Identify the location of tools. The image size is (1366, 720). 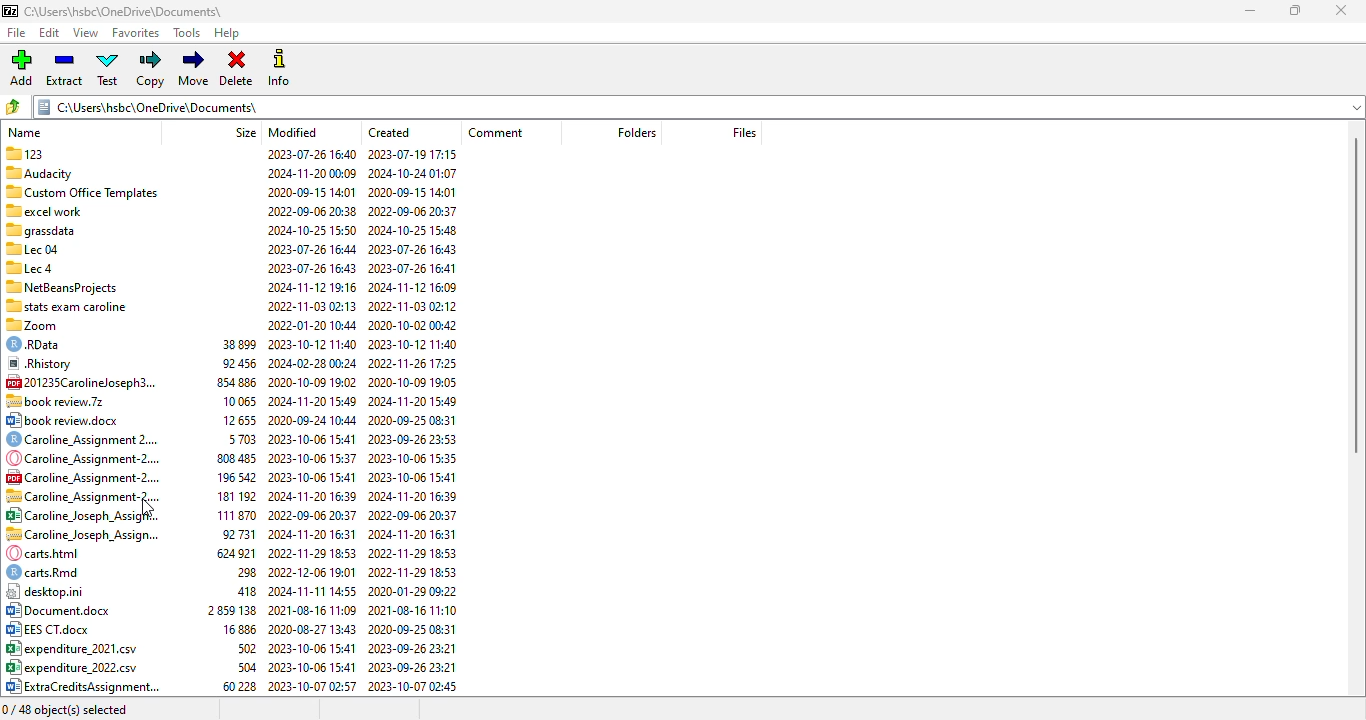
(187, 33).